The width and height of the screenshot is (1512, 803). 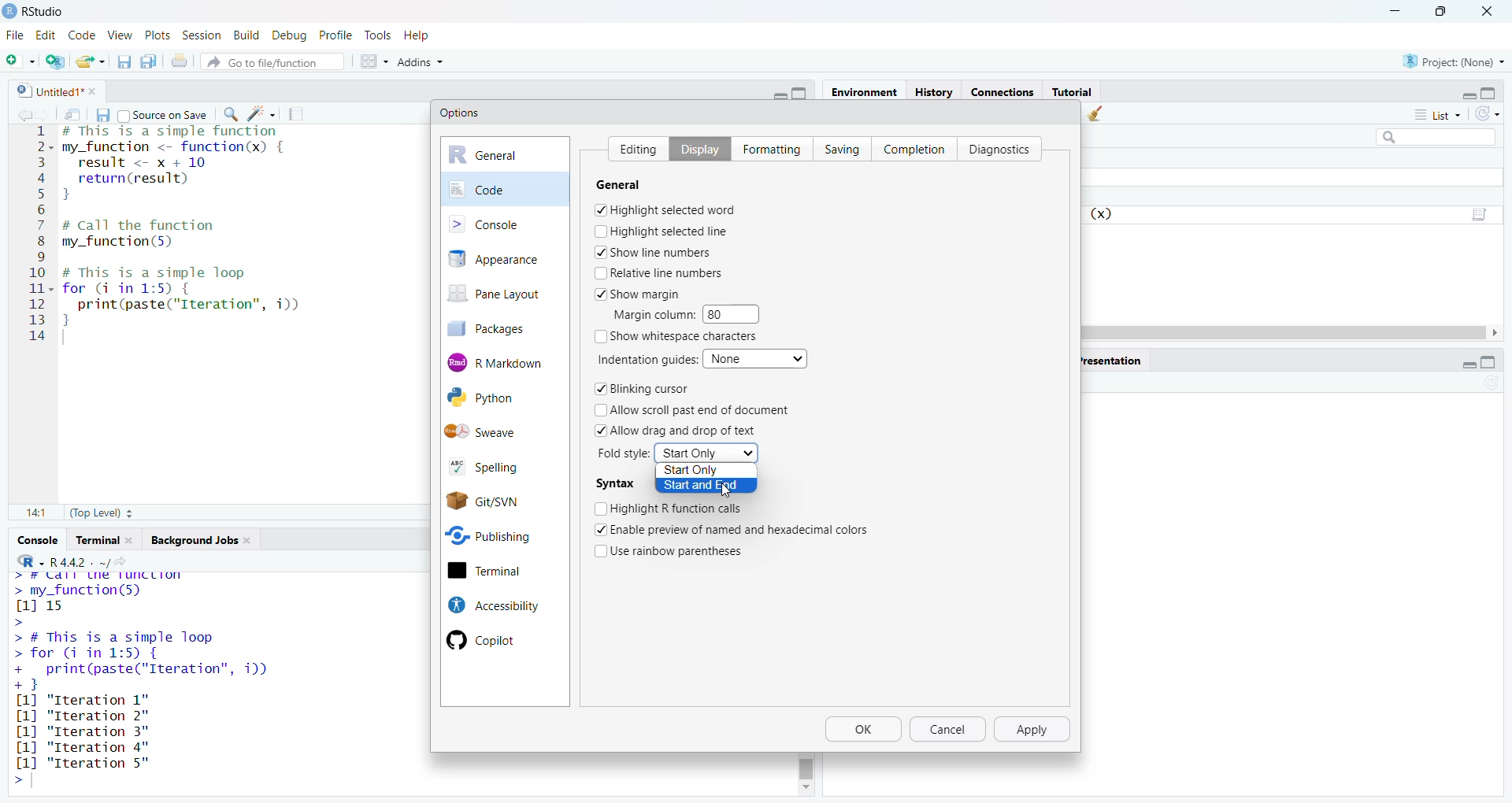 I want to click on edit, so click(x=46, y=35).